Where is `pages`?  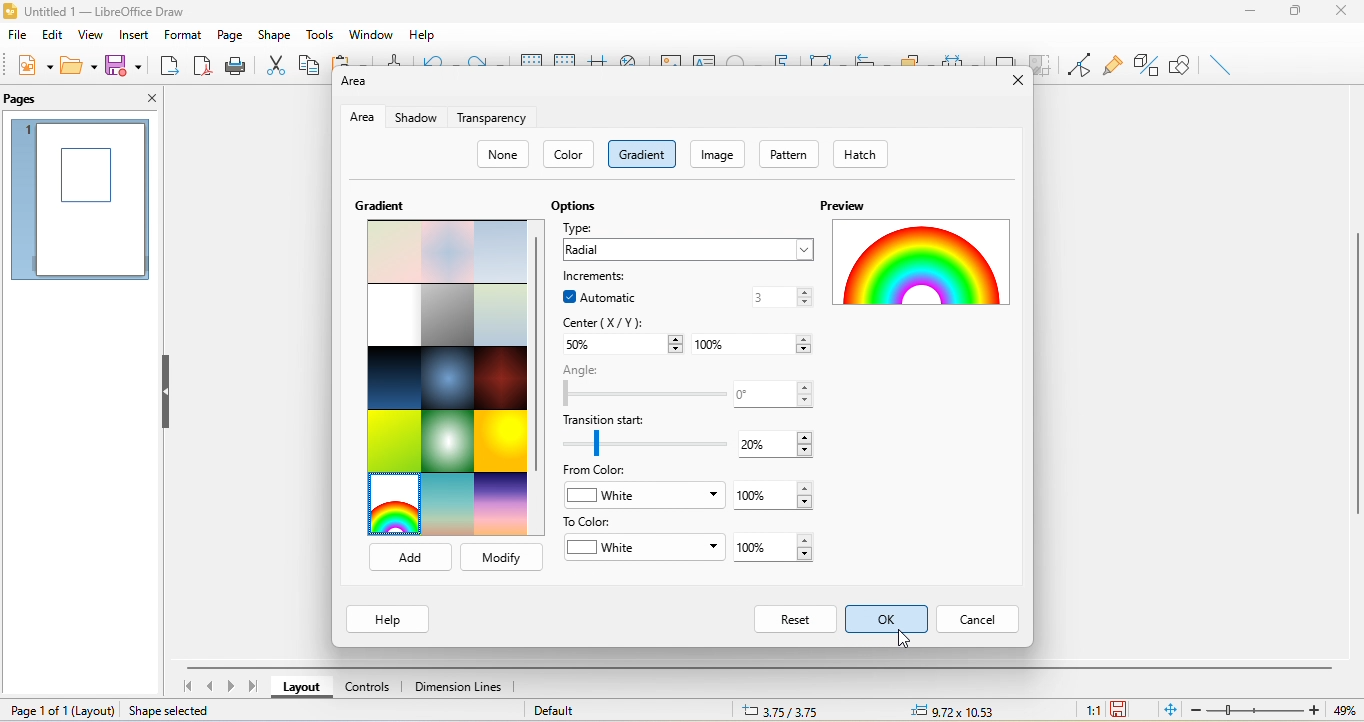 pages is located at coordinates (25, 101).